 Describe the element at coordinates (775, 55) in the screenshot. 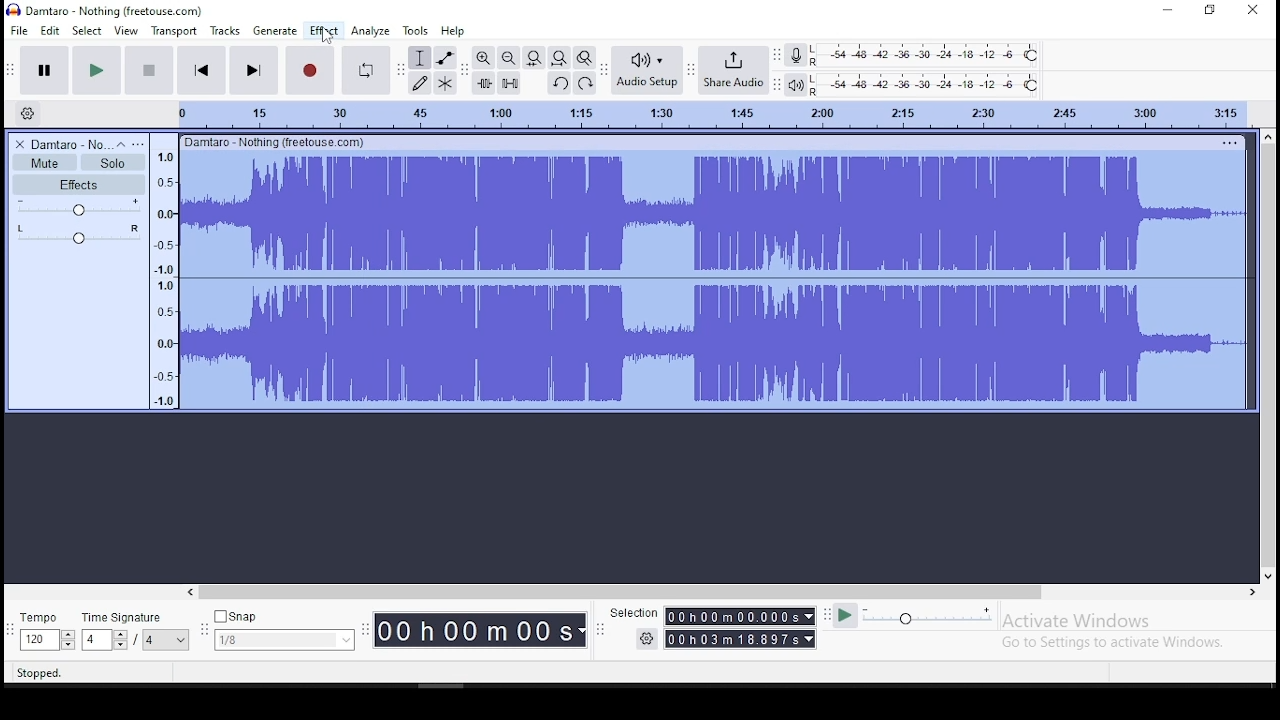

I see `` at that location.